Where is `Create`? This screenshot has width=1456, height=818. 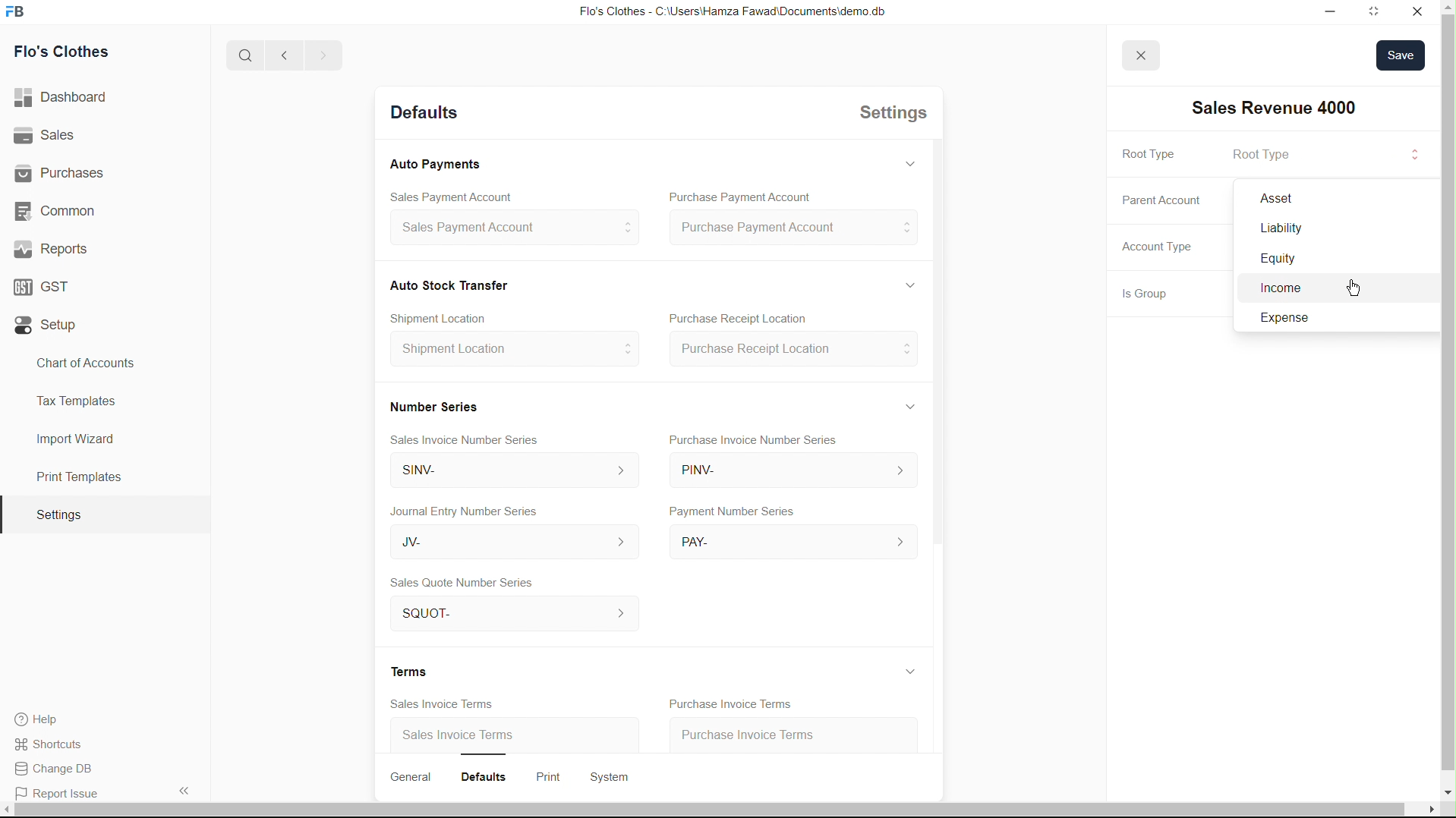
Create is located at coordinates (456, 315).